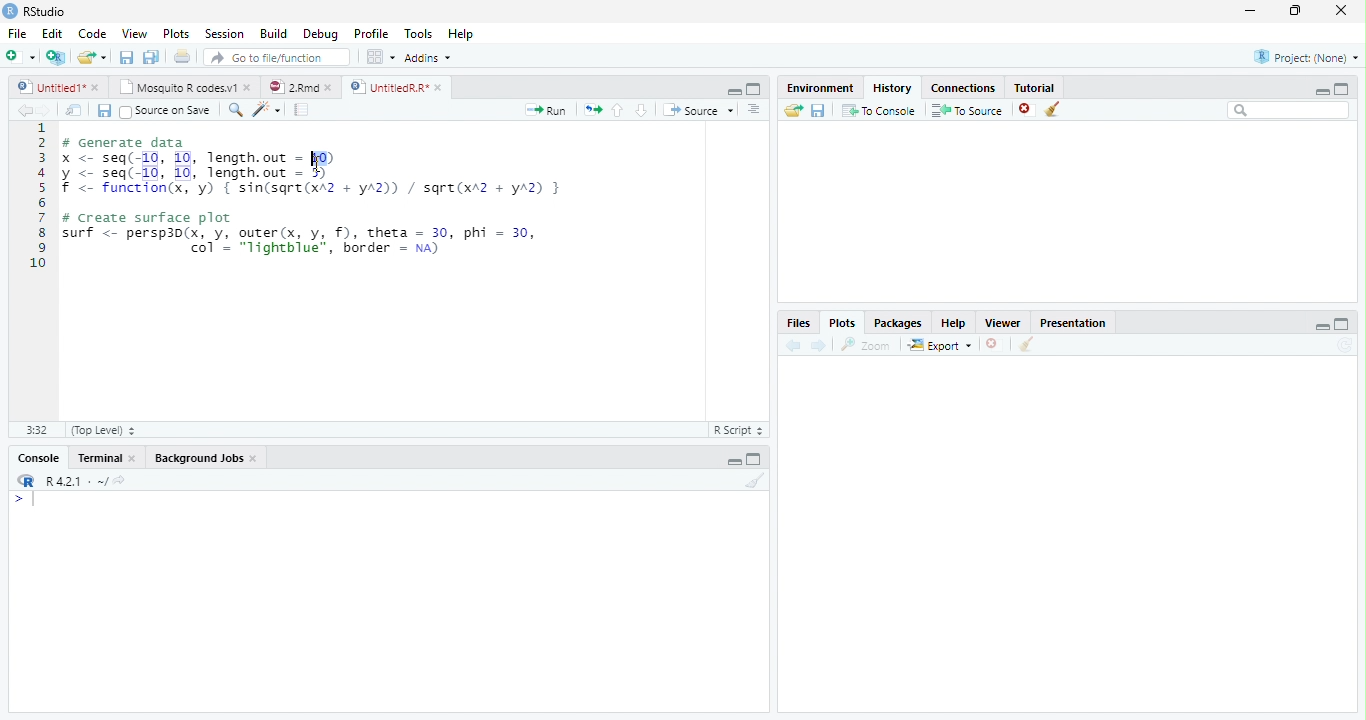 The width and height of the screenshot is (1366, 720). What do you see at coordinates (292, 86) in the screenshot?
I see `2.Rmd` at bounding box center [292, 86].